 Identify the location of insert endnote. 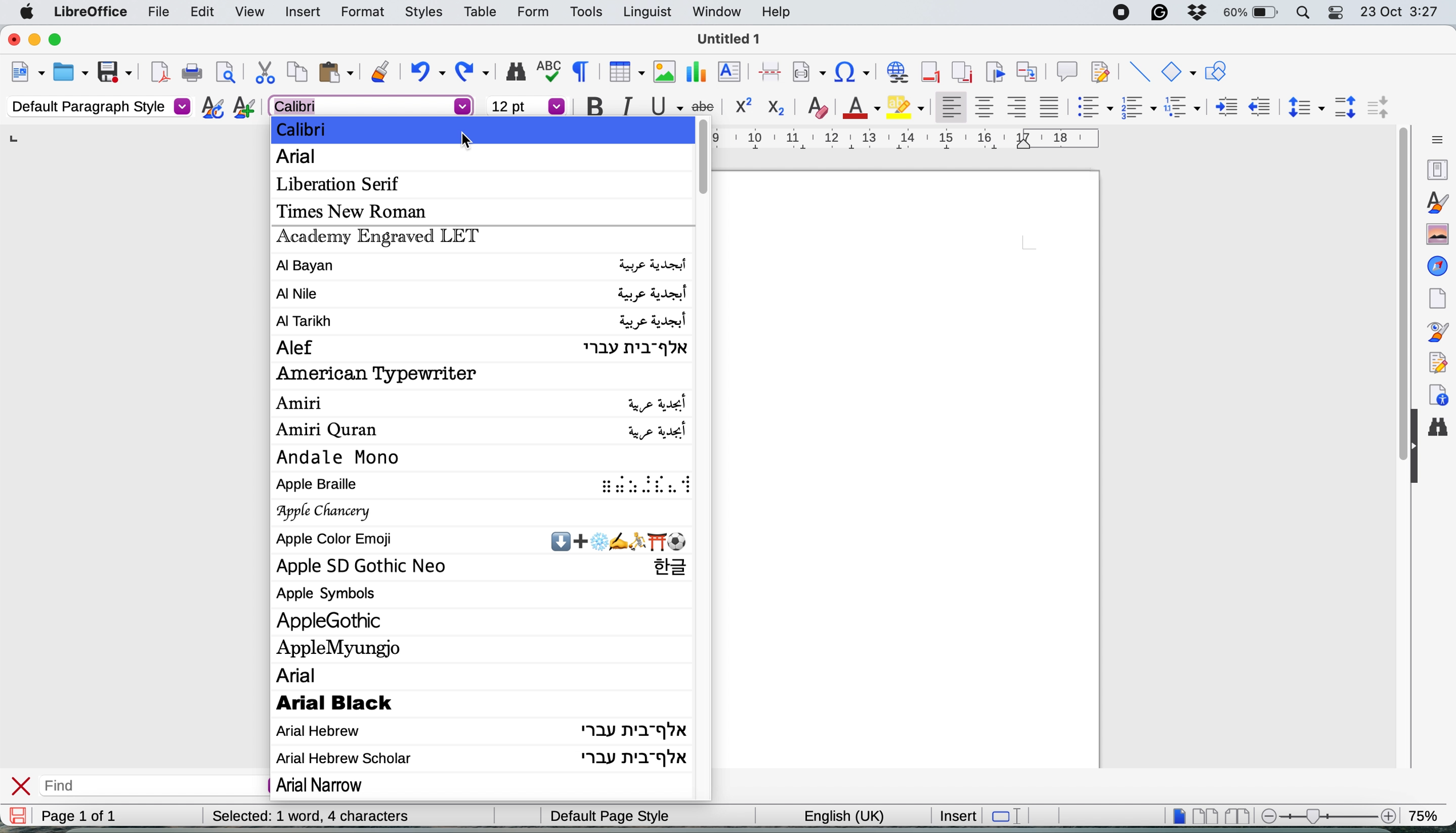
(959, 73).